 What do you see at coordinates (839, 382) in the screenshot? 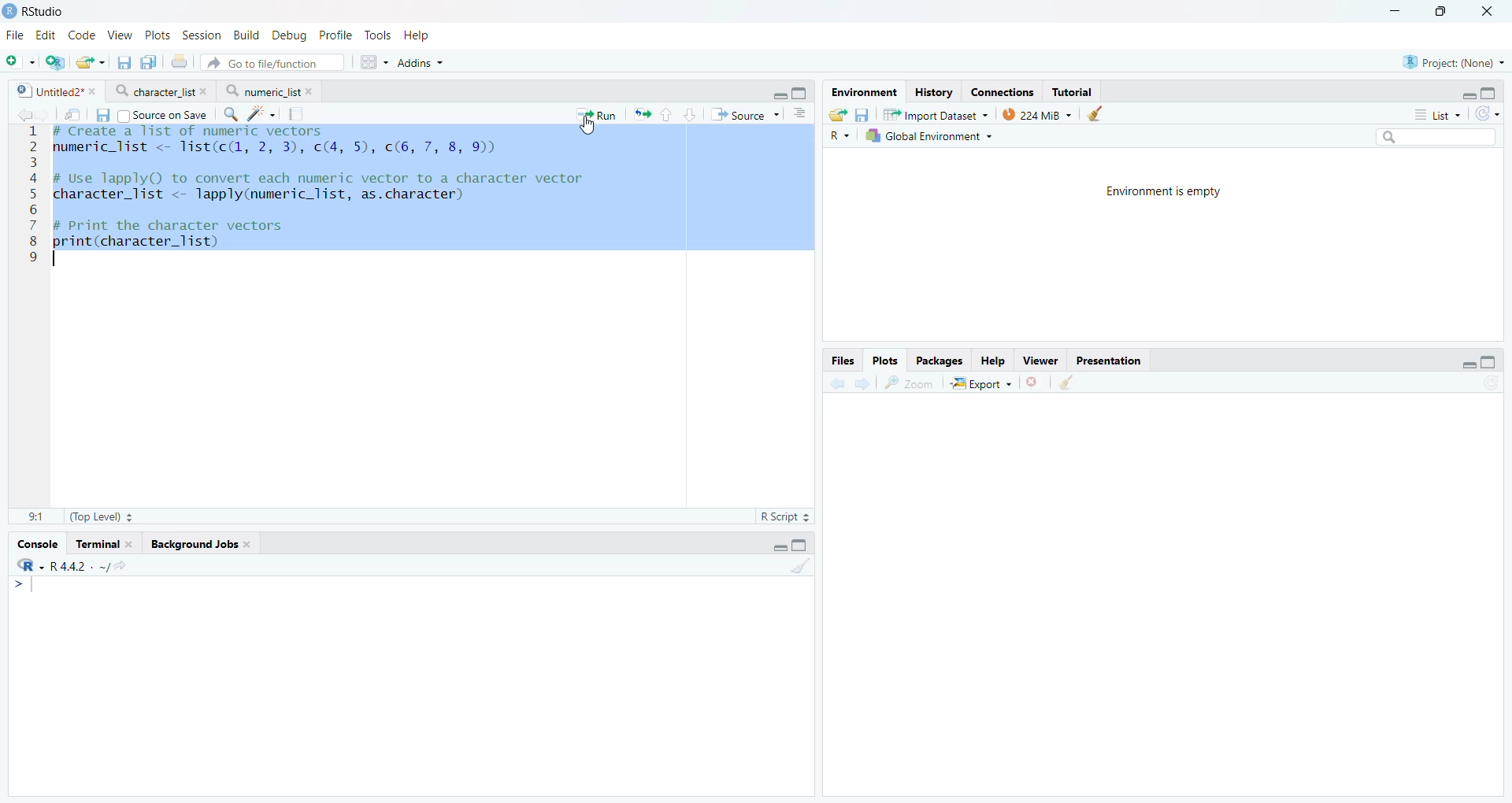
I see `Go to previous plot` at bounding box center [839, 382].